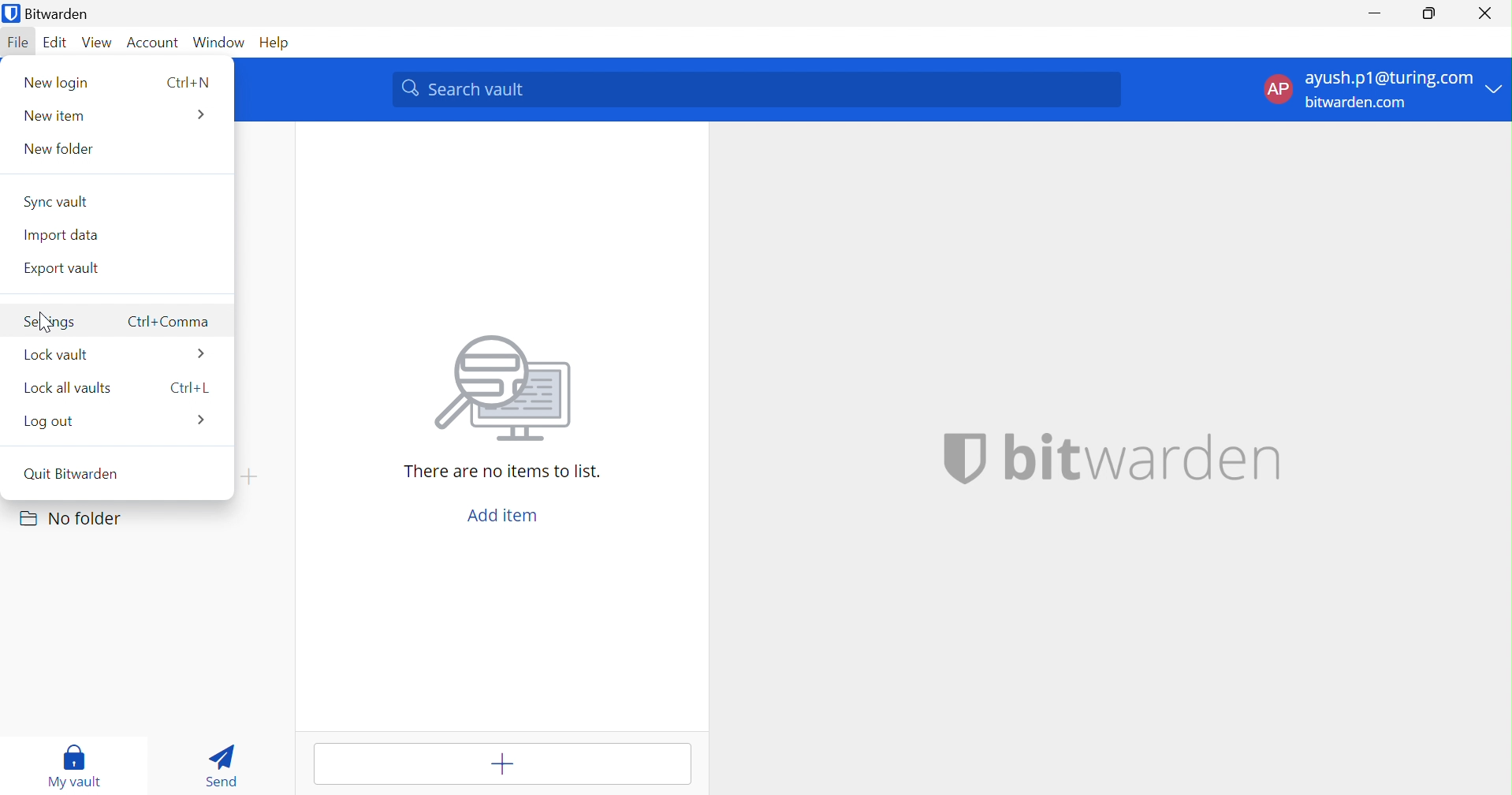 The width and height of the screenshot is (1512, 795). I want to click on New folder, so click(60, 147).